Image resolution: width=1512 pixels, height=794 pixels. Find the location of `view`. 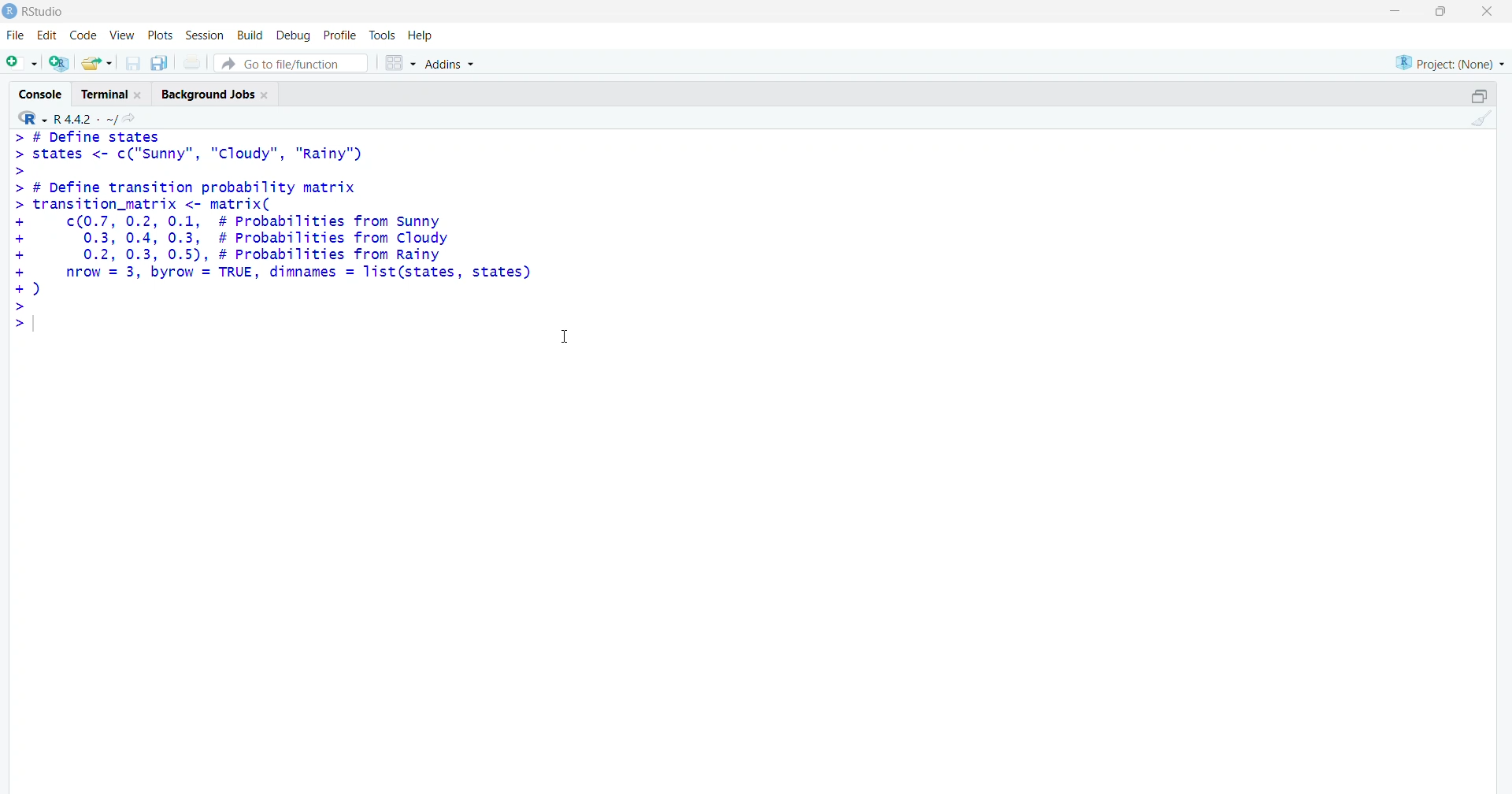

view is located at coordinates (122, 34).